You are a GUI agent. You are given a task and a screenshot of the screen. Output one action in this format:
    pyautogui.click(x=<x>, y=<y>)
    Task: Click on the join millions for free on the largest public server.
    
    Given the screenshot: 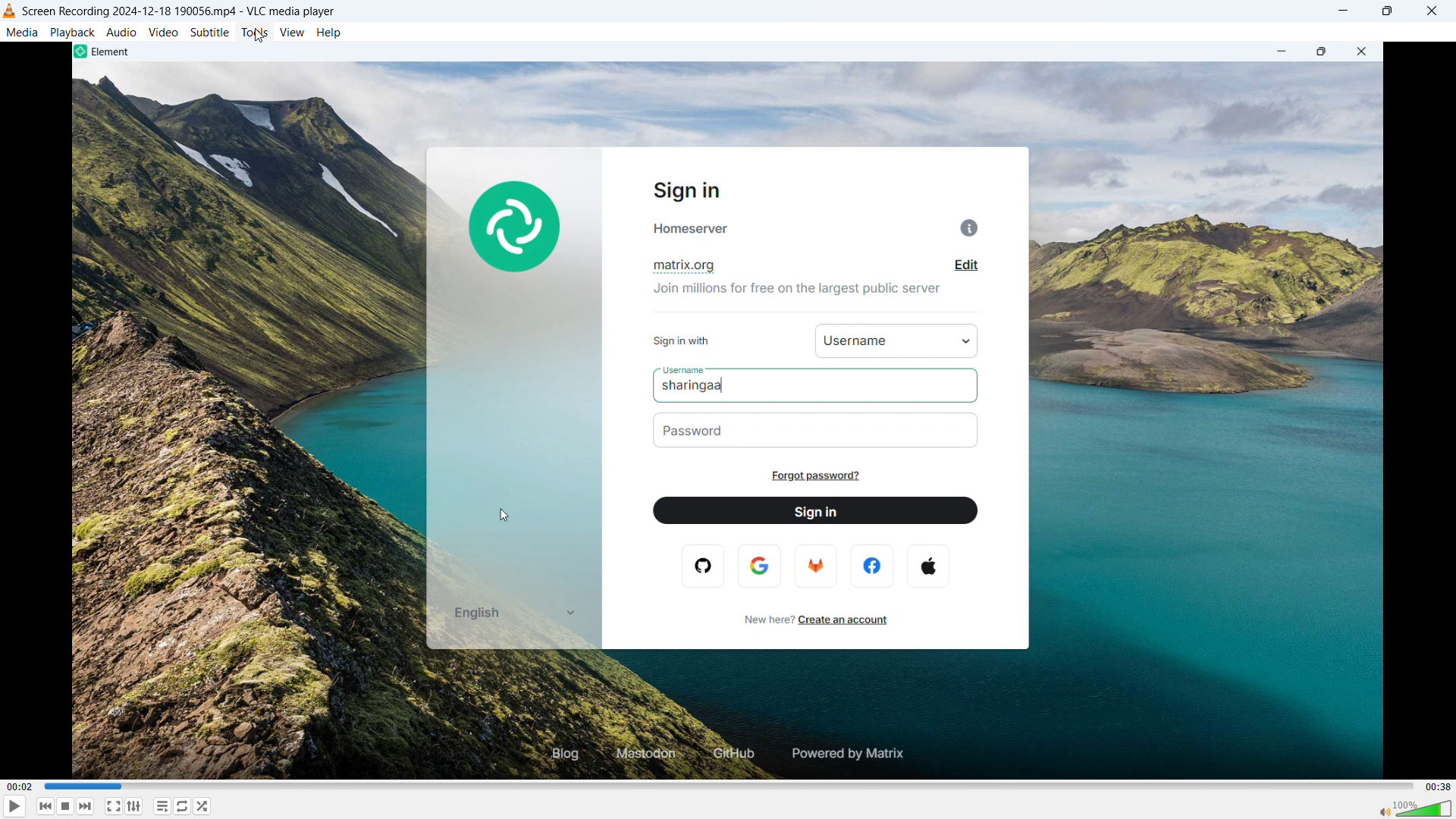 What is the action you would take?
    pyautogui.click(x=805, y=295)
    